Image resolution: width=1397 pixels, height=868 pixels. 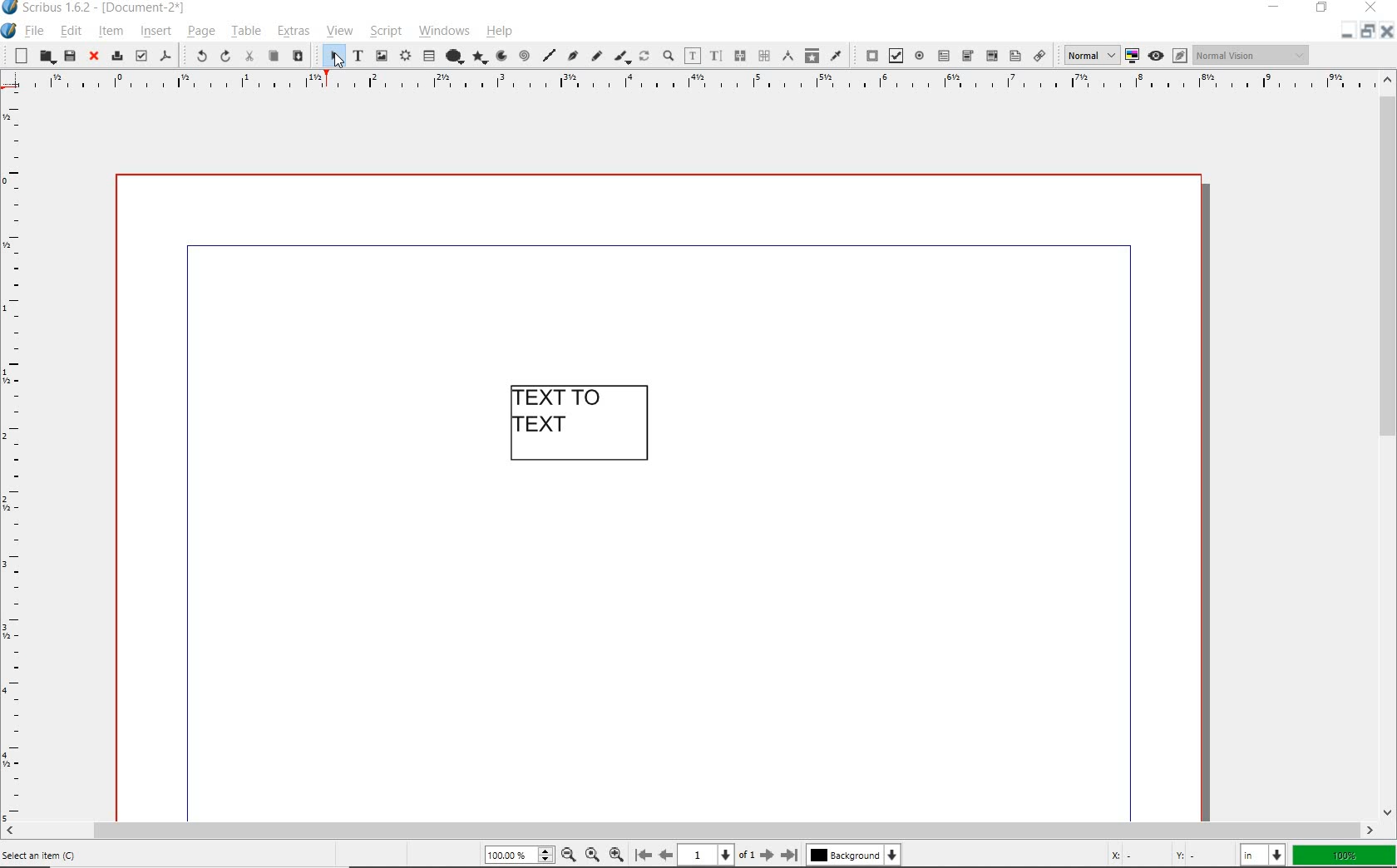 I want to click on scrollbar, so click(x=1389, y=445).